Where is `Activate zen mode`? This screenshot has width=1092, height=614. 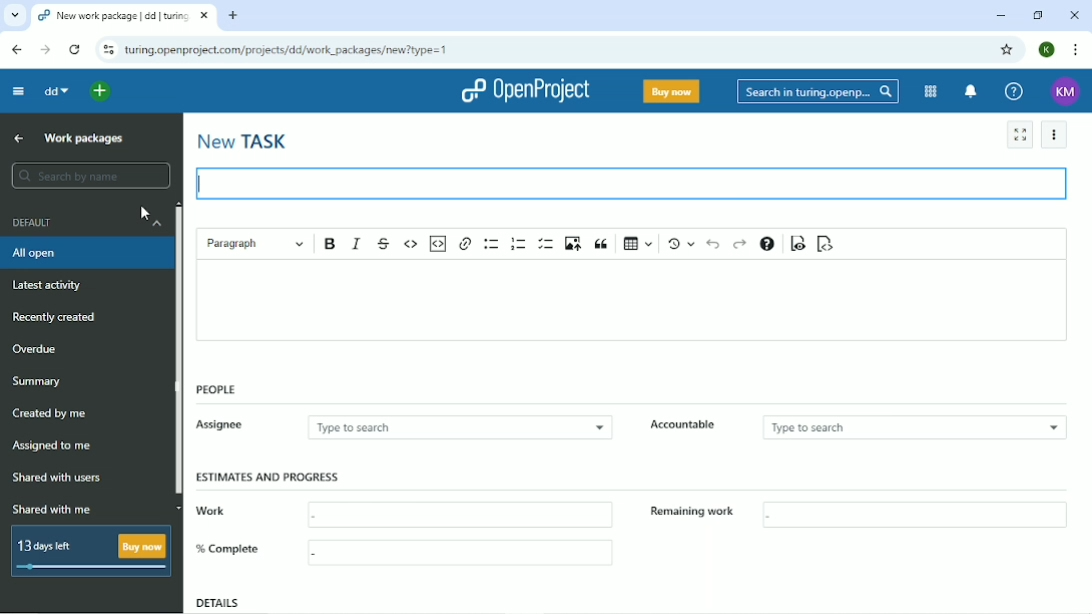
Activate zen mode is located at coordinates (1019, 134).